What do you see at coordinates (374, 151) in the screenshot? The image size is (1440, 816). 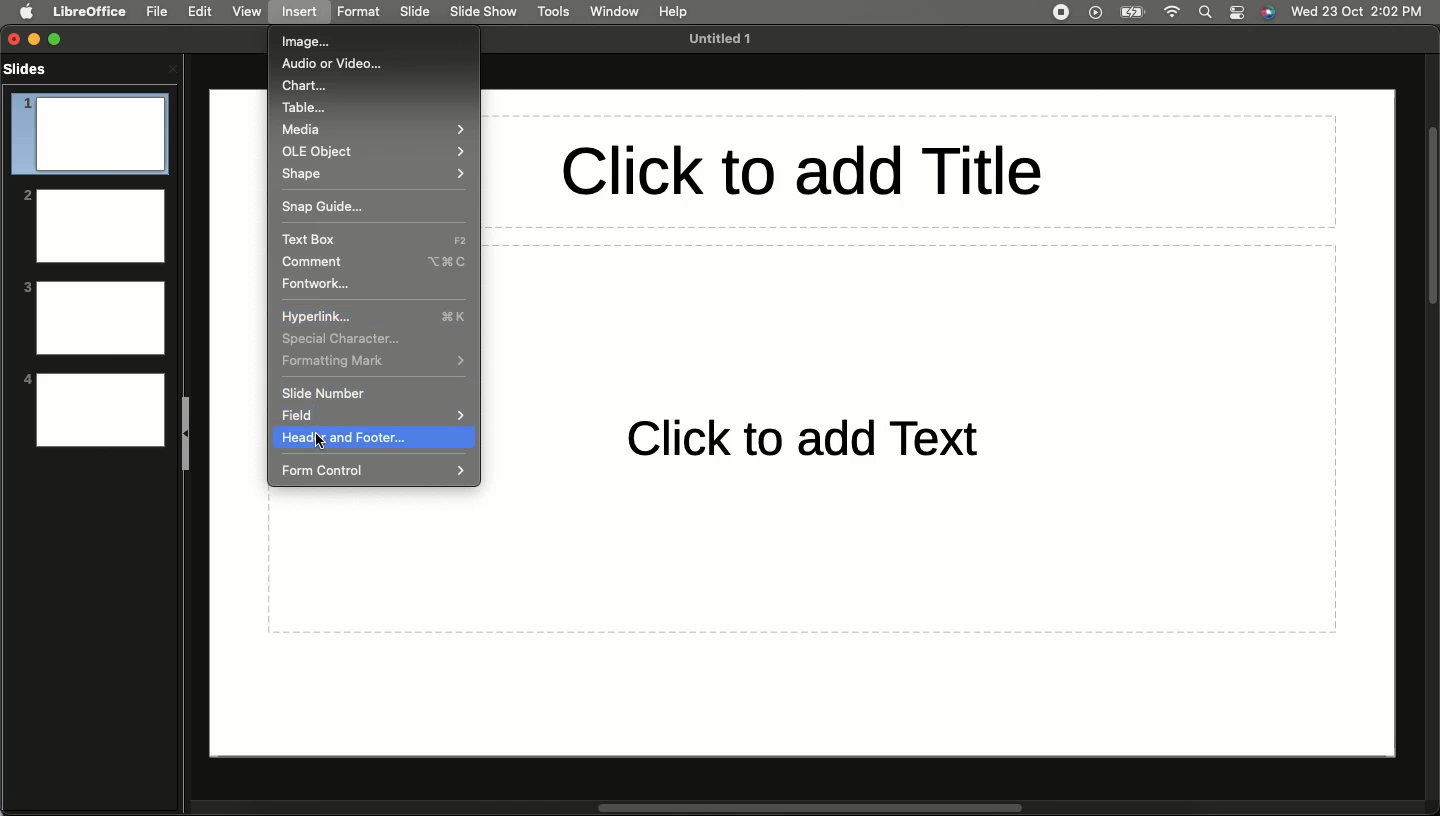 I see `OLE object` at bounding box center [374, 151].